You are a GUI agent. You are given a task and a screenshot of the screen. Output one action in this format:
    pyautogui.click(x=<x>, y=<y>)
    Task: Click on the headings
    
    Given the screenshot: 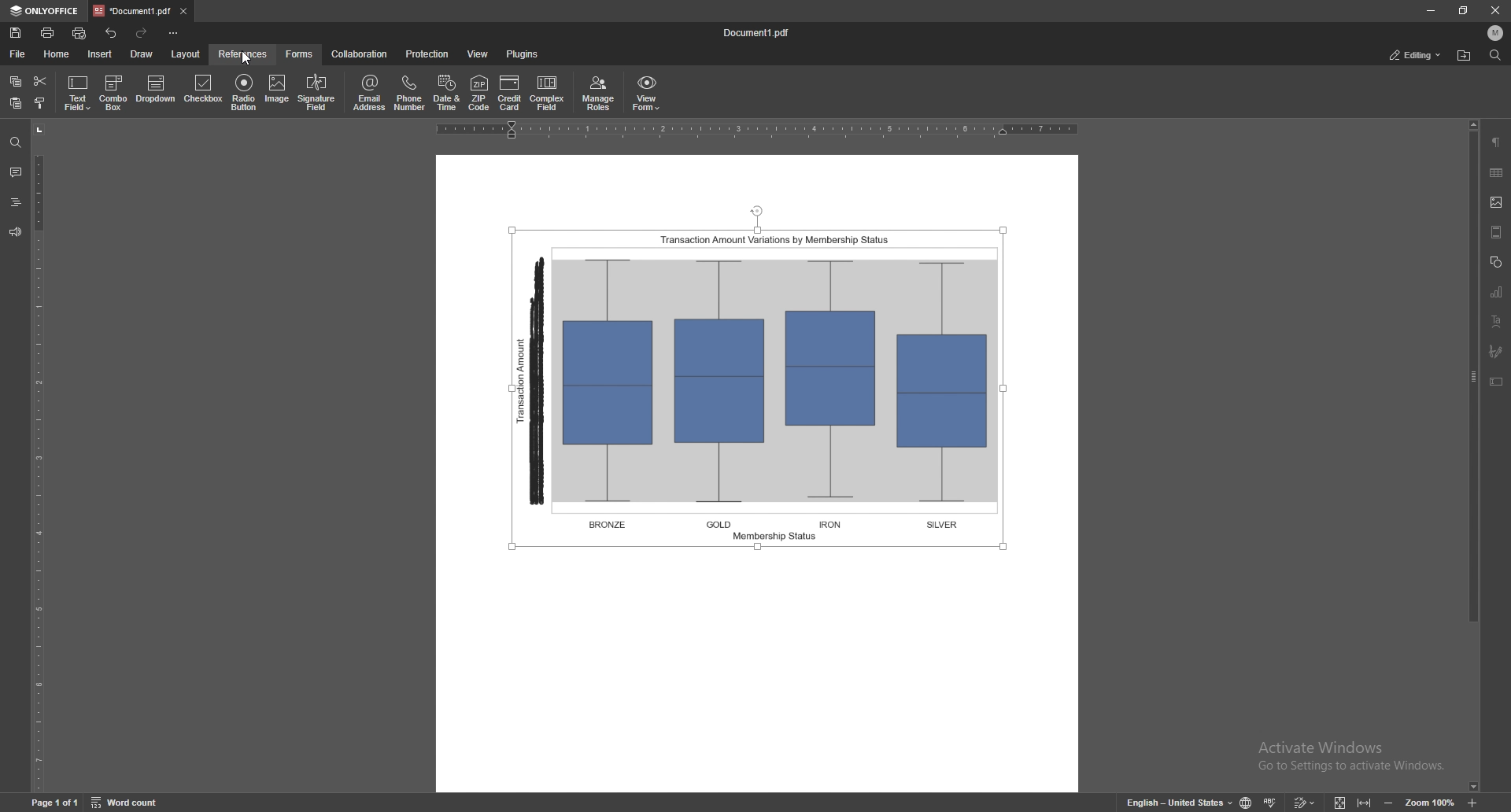 What is the action you would take?
    pyautogui.click(x=16, y=202)
    